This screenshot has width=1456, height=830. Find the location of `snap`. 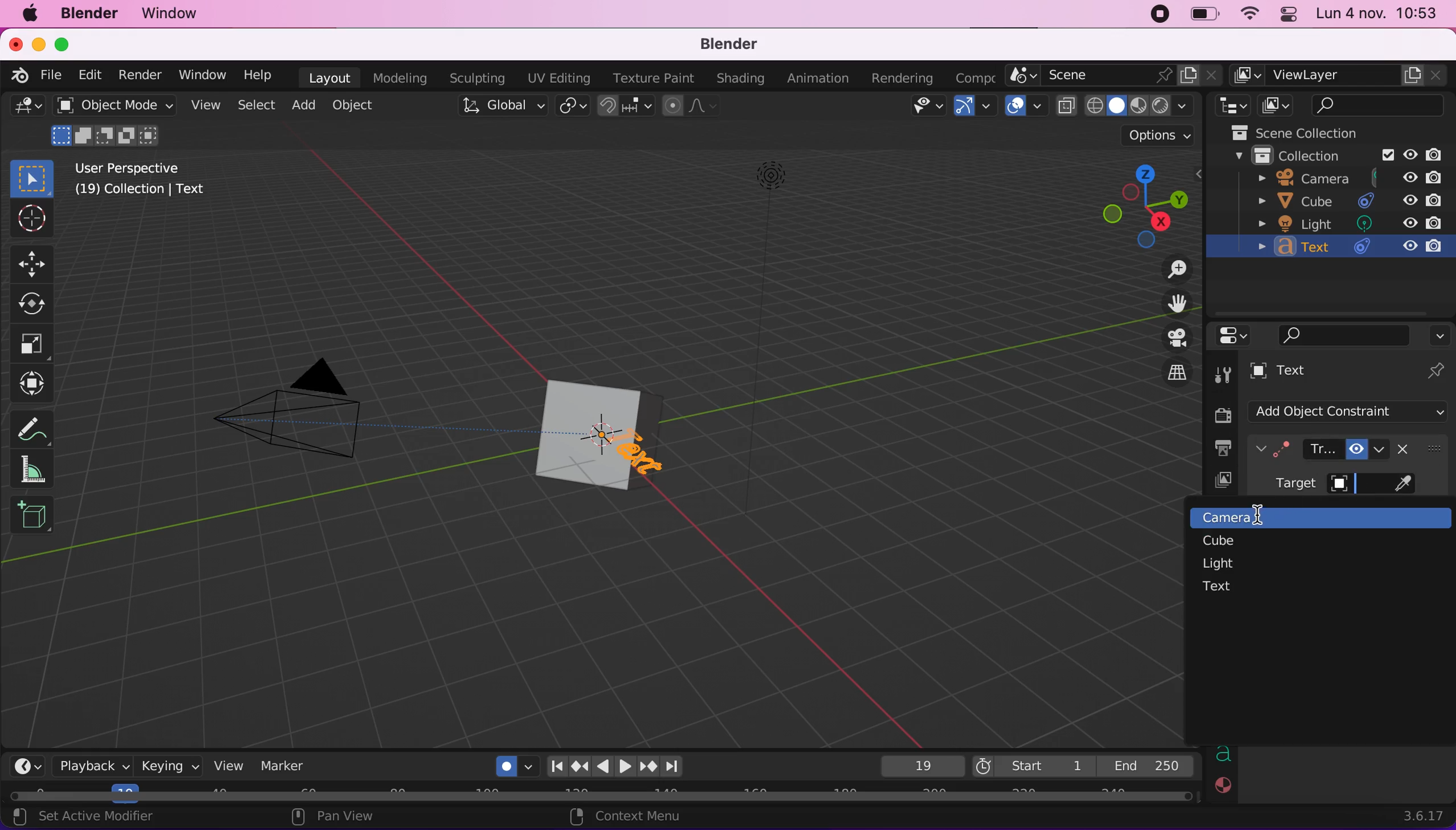

snap is located at coordinates (623, 107).